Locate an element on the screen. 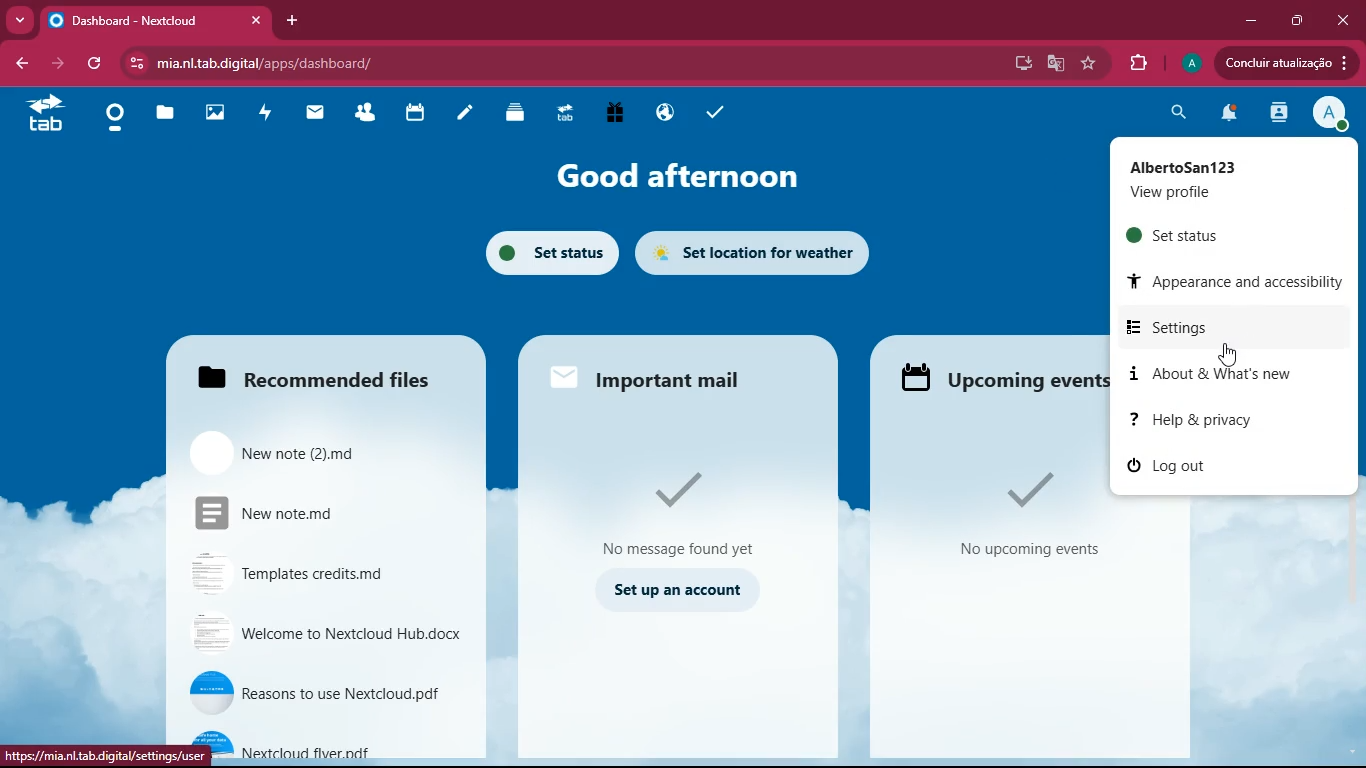 This screenshot has height=768, width=1366. Reasons to use Nextcloud.pdf is located at coordinates (315, 696).